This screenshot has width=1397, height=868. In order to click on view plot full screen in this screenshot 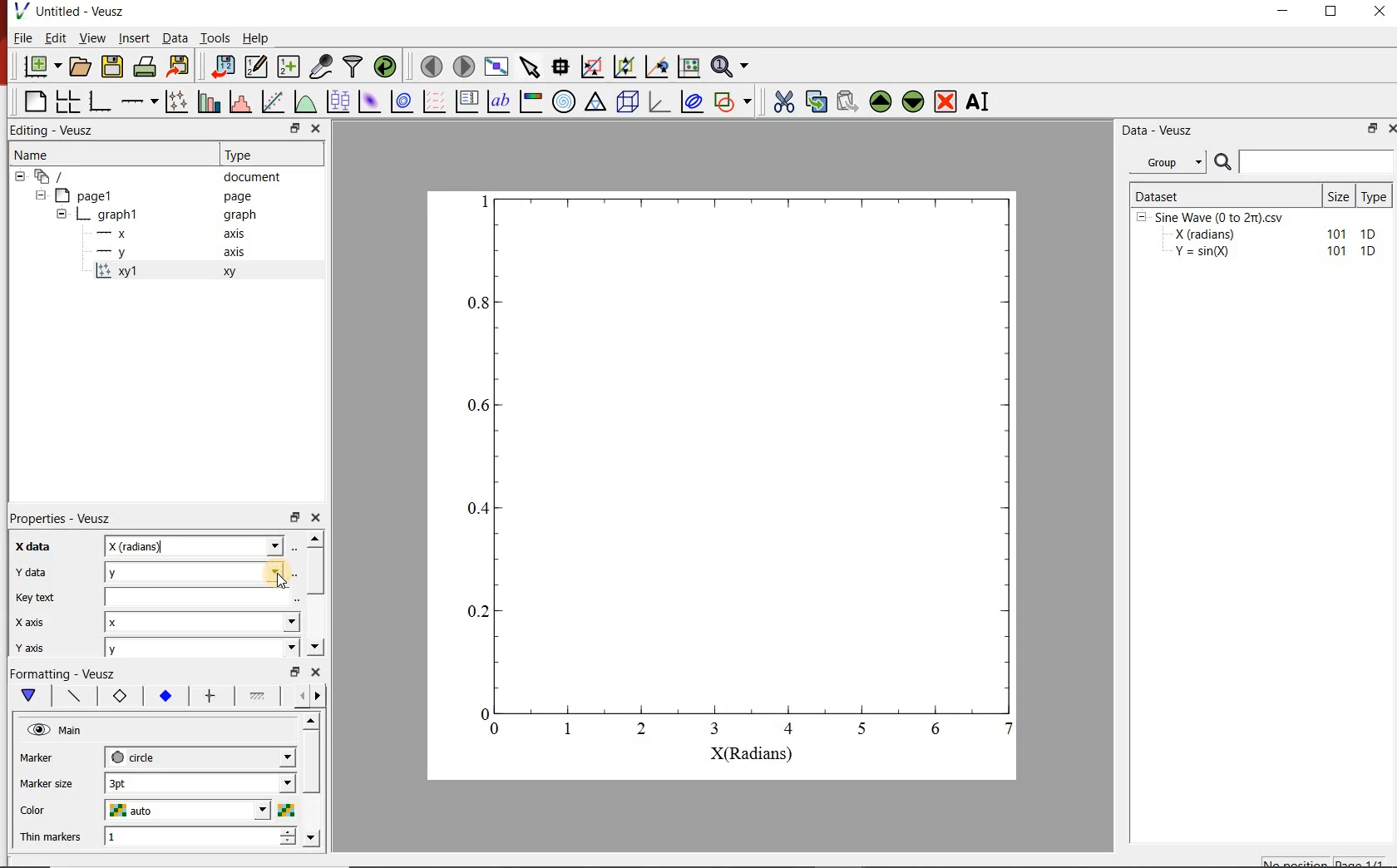, I will do `click(496, 66)`.